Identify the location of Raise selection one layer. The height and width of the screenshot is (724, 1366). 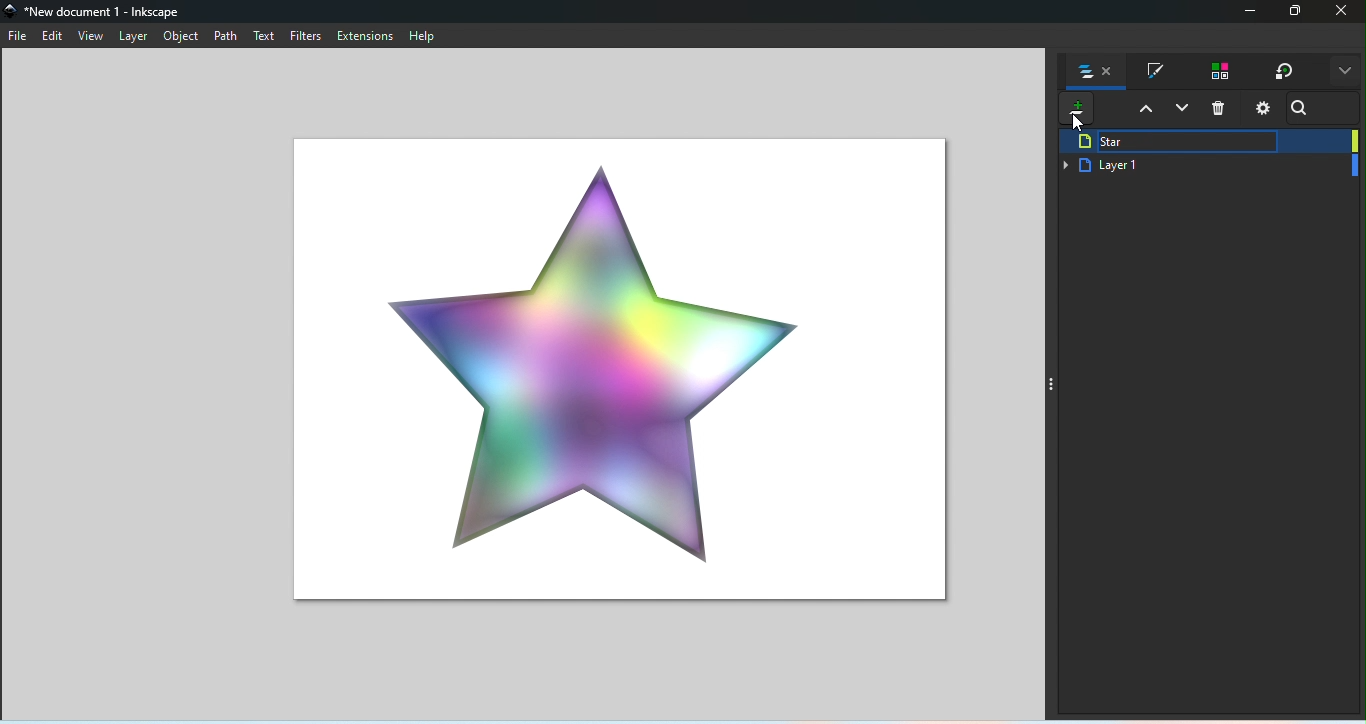
(1140, 112).